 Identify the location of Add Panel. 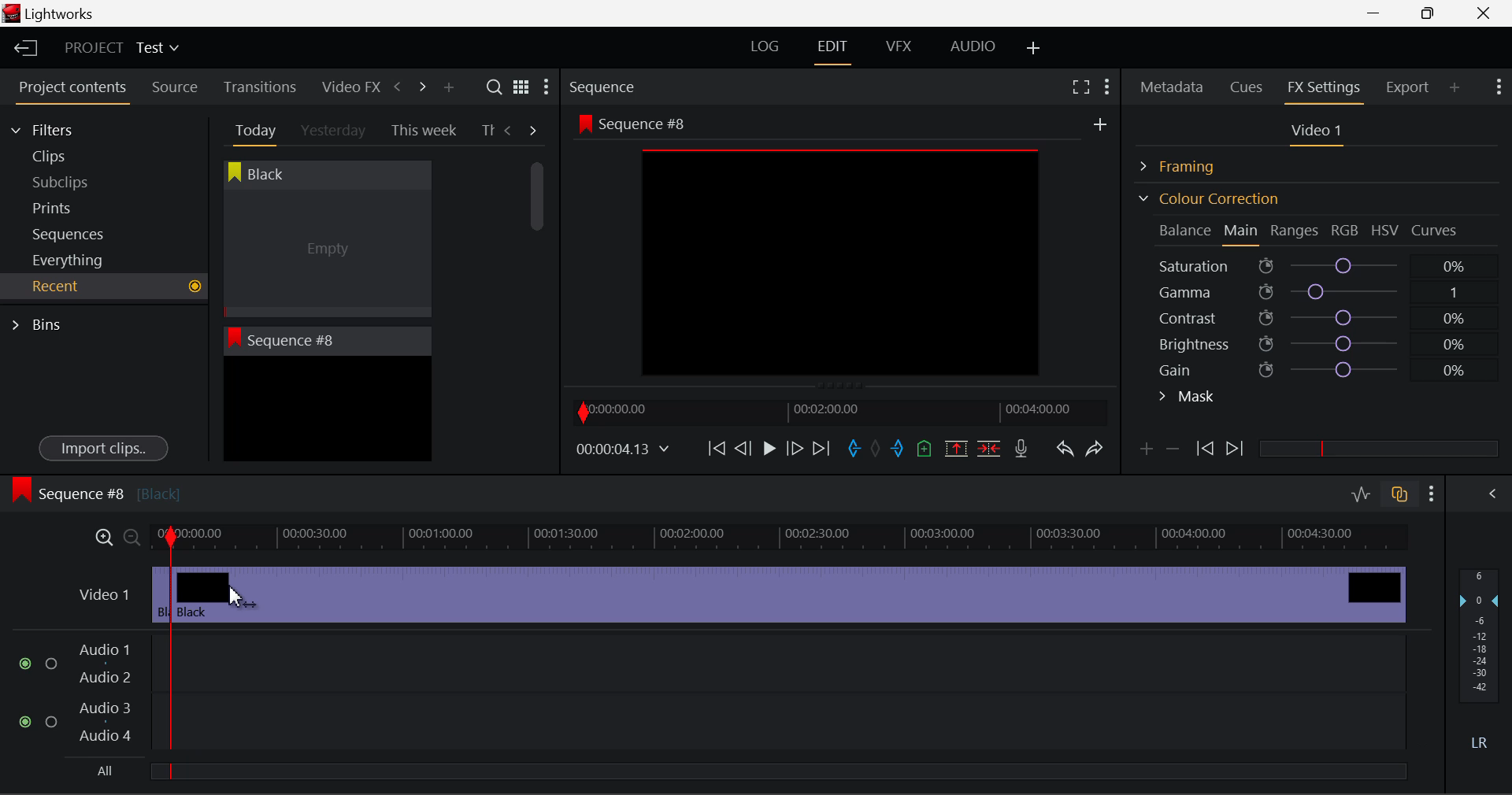
(448, 88).